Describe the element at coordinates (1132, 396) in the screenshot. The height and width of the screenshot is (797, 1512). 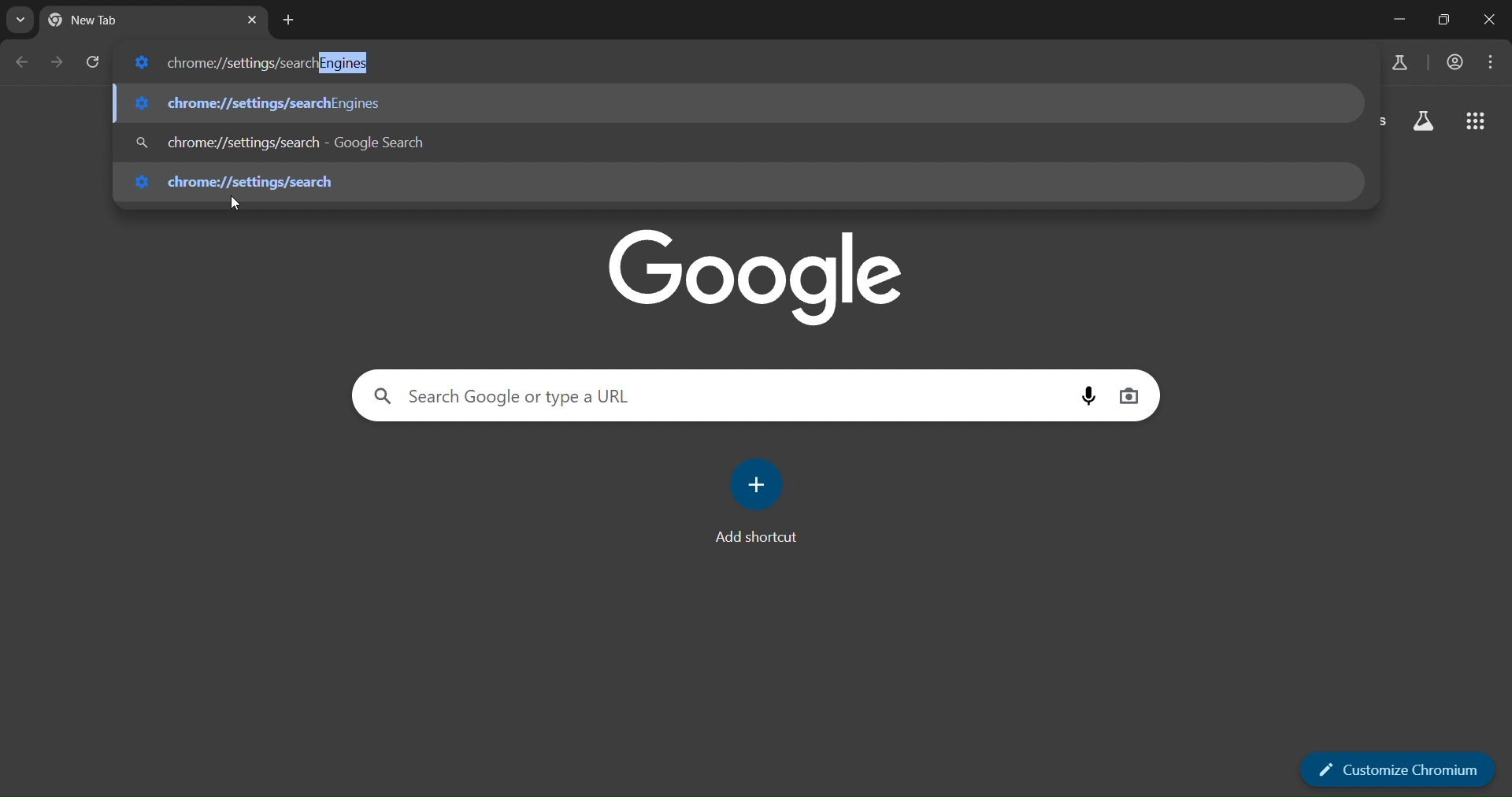
I see `image search` at that location.